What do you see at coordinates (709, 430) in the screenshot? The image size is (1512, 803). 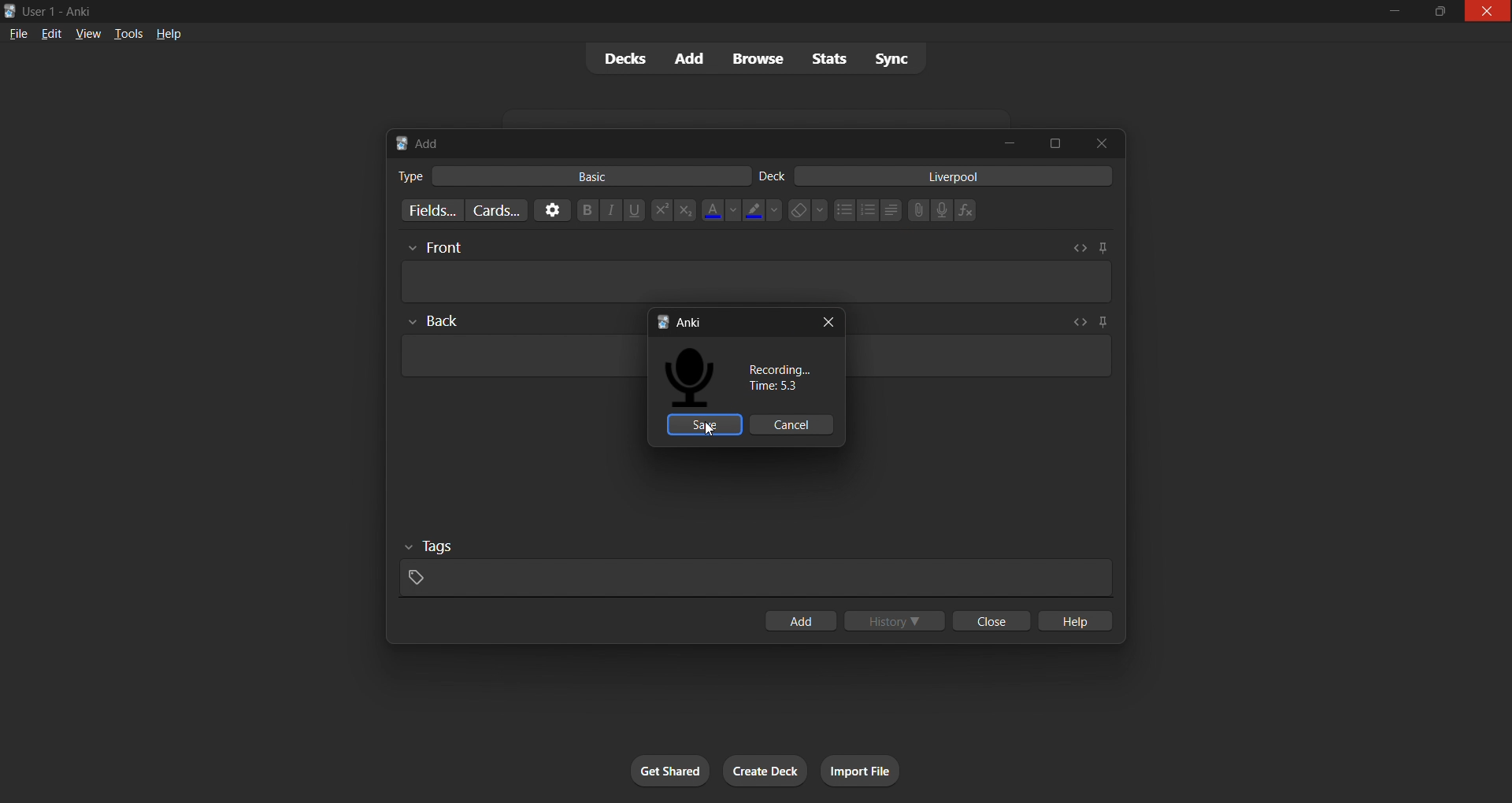 I see `cursor` at bounding box center [709, 430].